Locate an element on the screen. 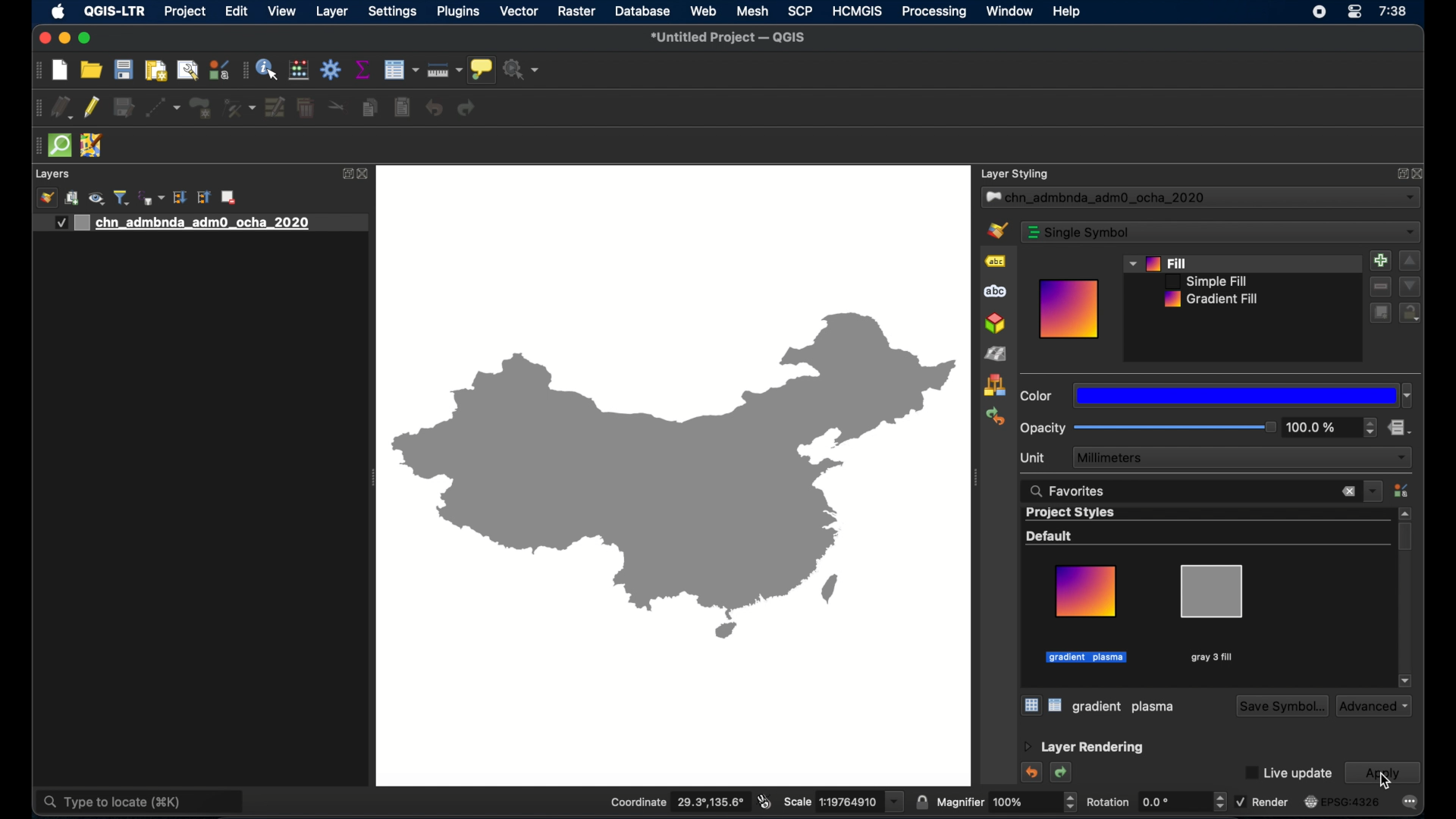  raster is located at coordinates (577, 11).